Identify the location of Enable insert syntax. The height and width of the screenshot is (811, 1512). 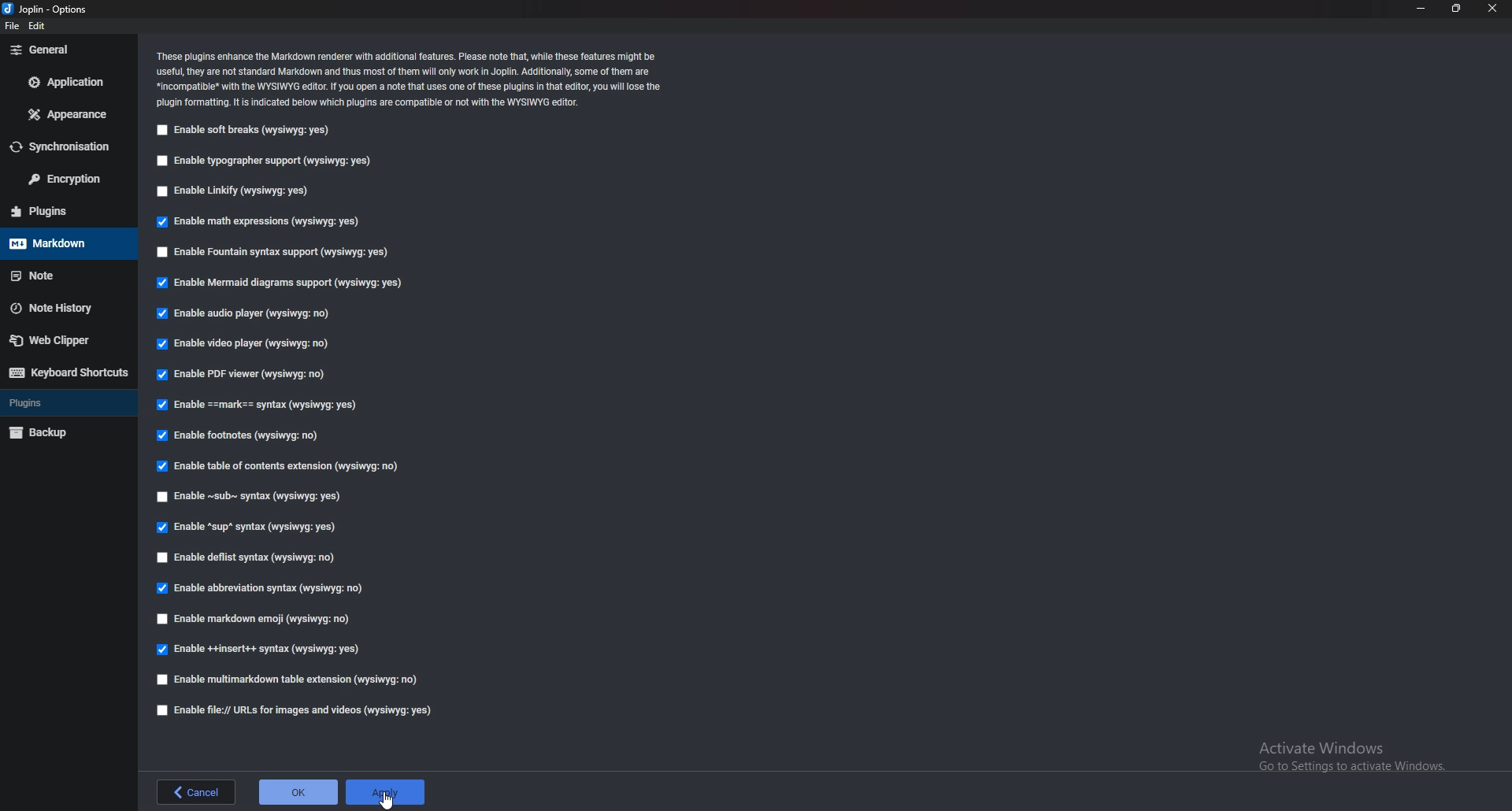
(258, 652).